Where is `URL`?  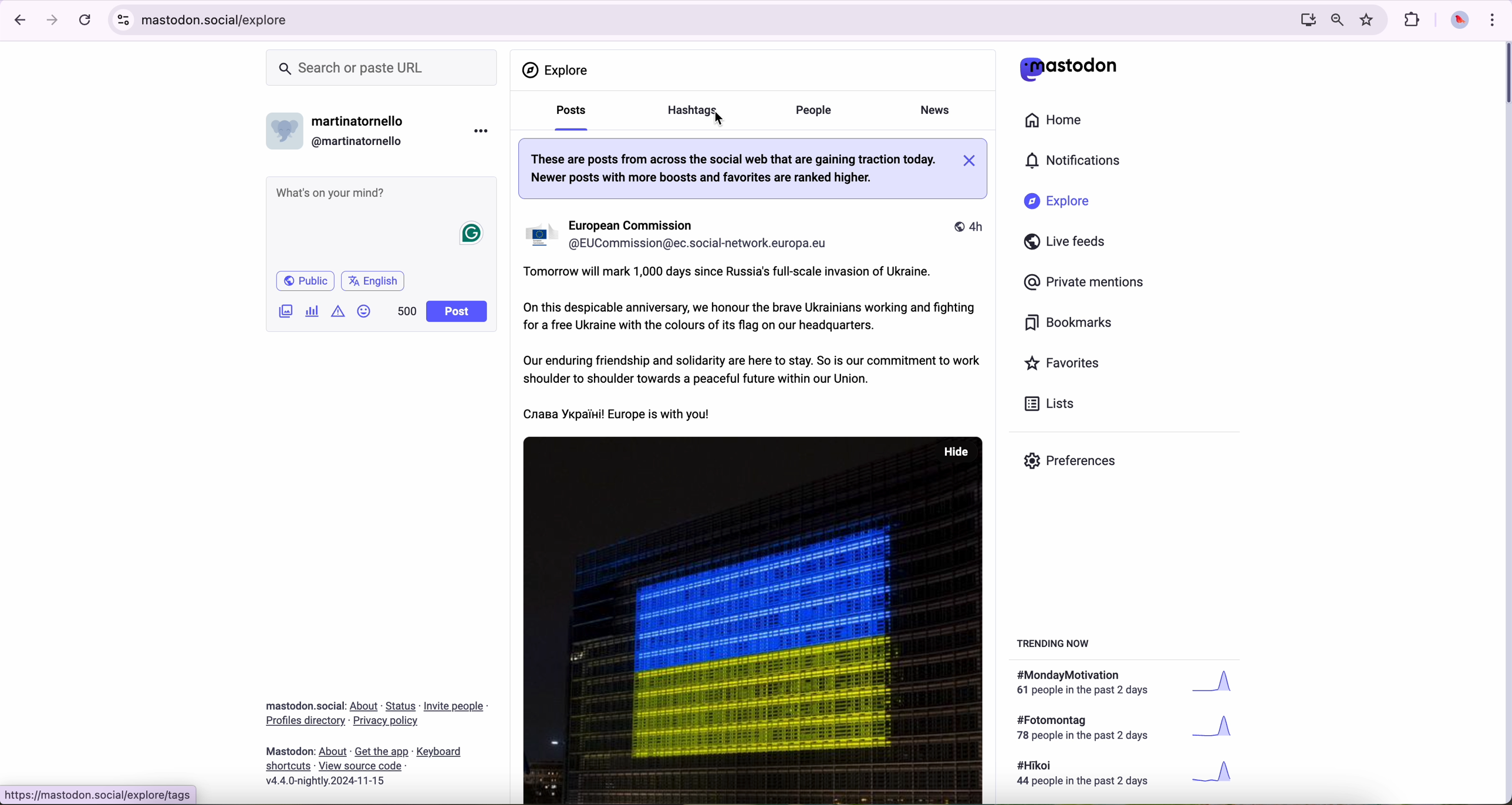
URL is located at coordinates (99, 794).